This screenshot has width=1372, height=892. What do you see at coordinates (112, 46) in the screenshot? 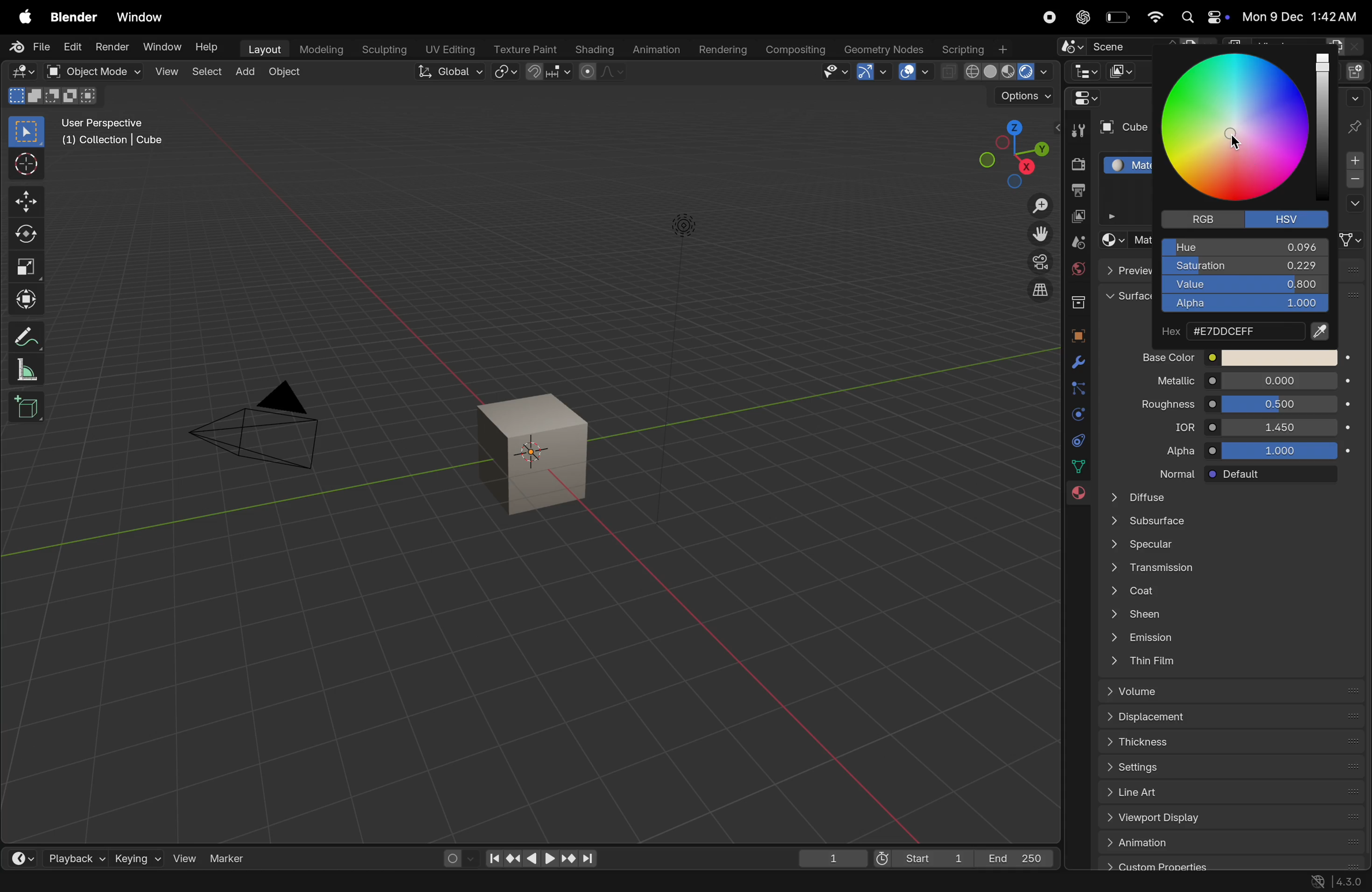
I see `render` at bounding box center [112, 46].